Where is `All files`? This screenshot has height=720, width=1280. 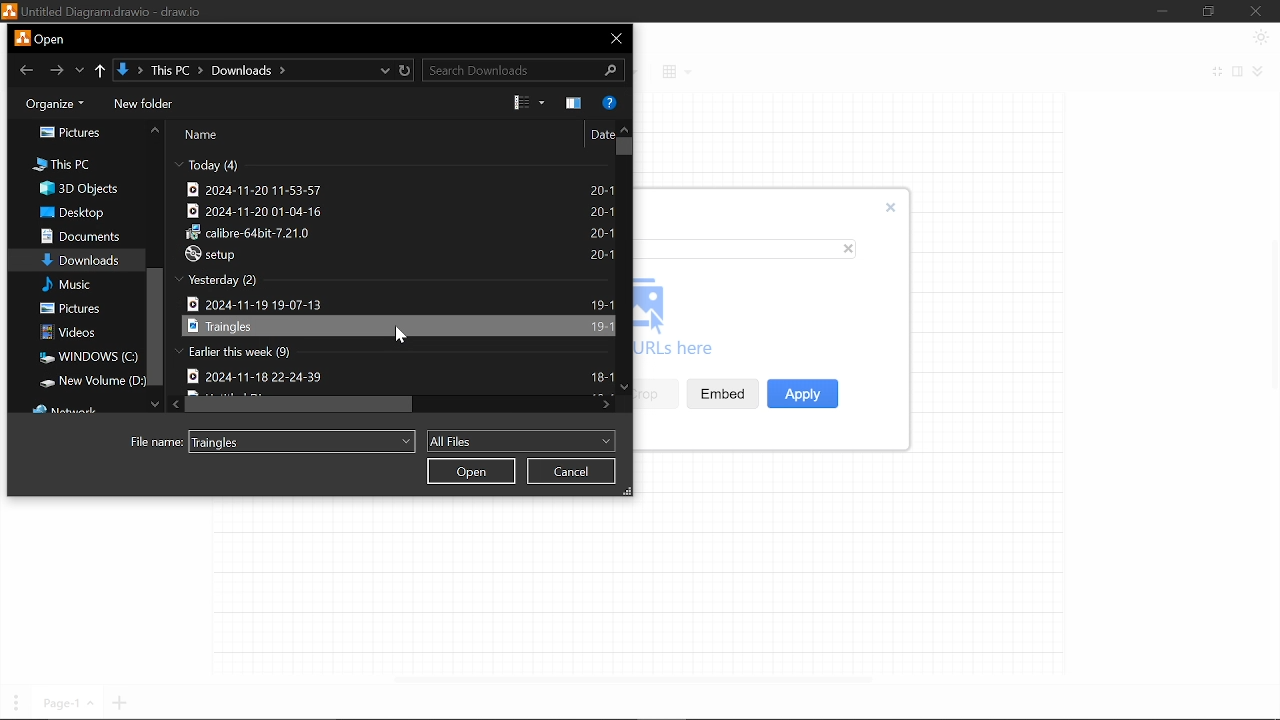 All files is located at coordinates (522, 442).